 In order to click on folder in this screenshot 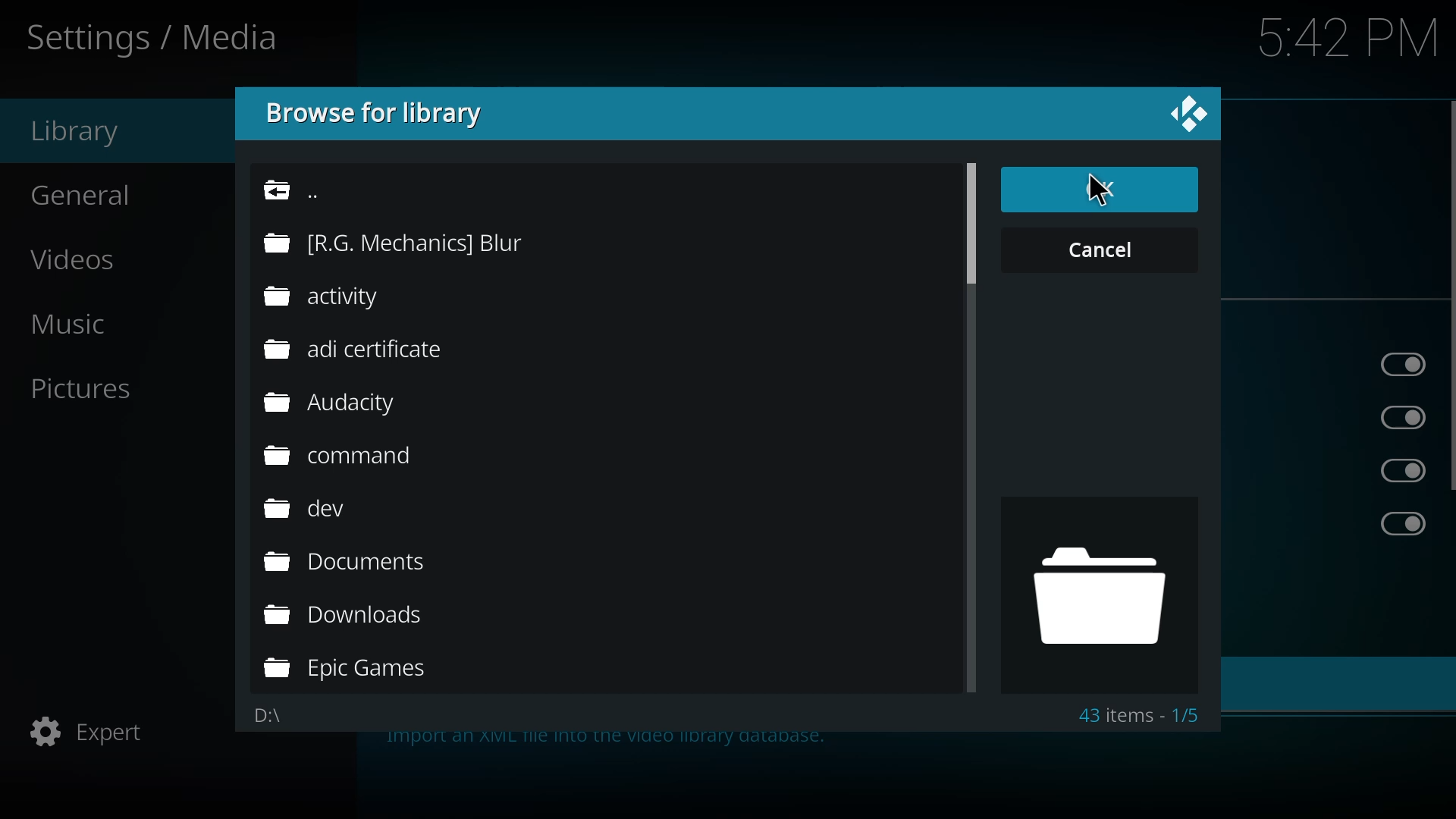, I will do `click(396, 242)`.